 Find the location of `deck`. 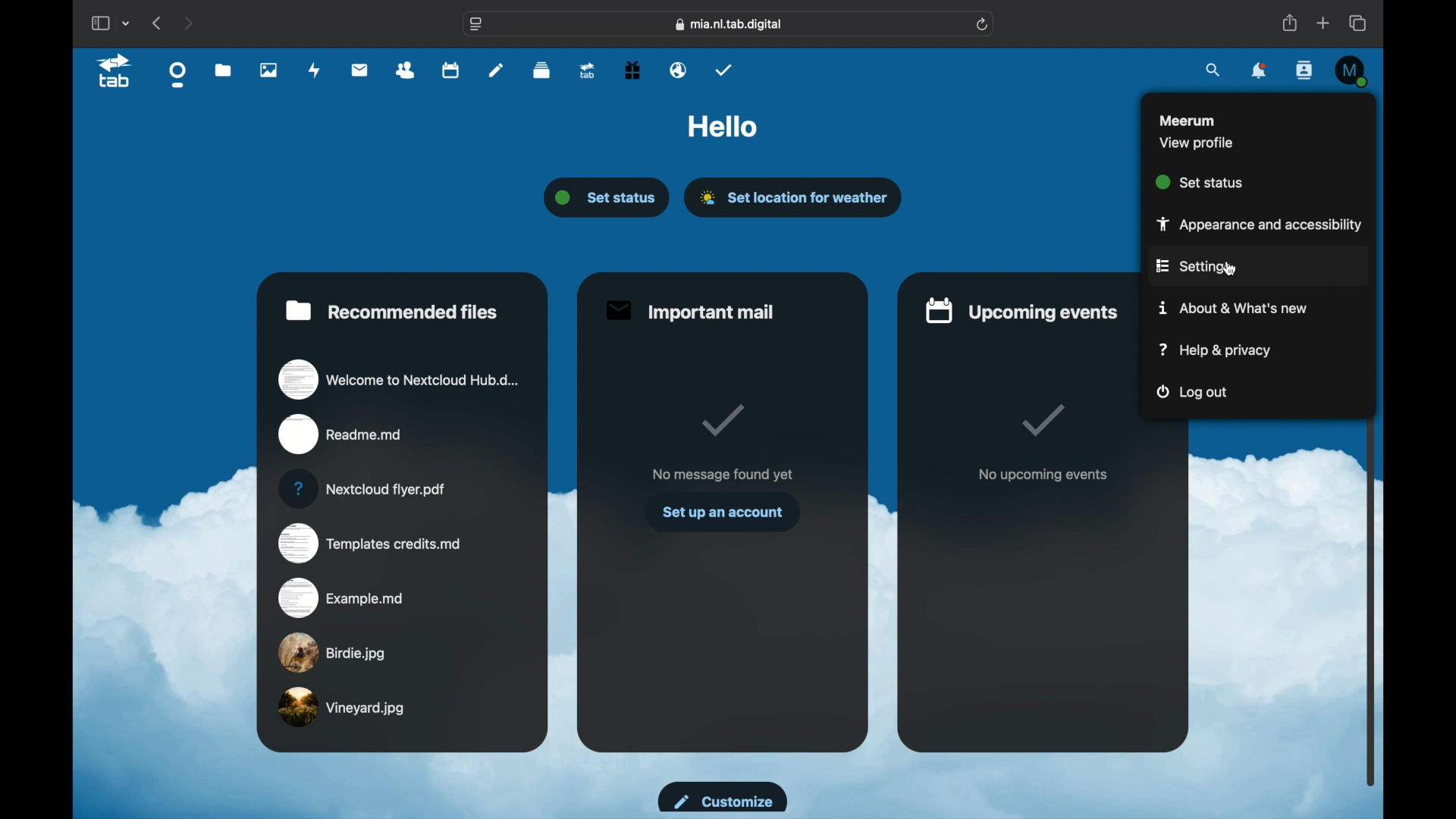

deck is located at coordinates (542, 71).